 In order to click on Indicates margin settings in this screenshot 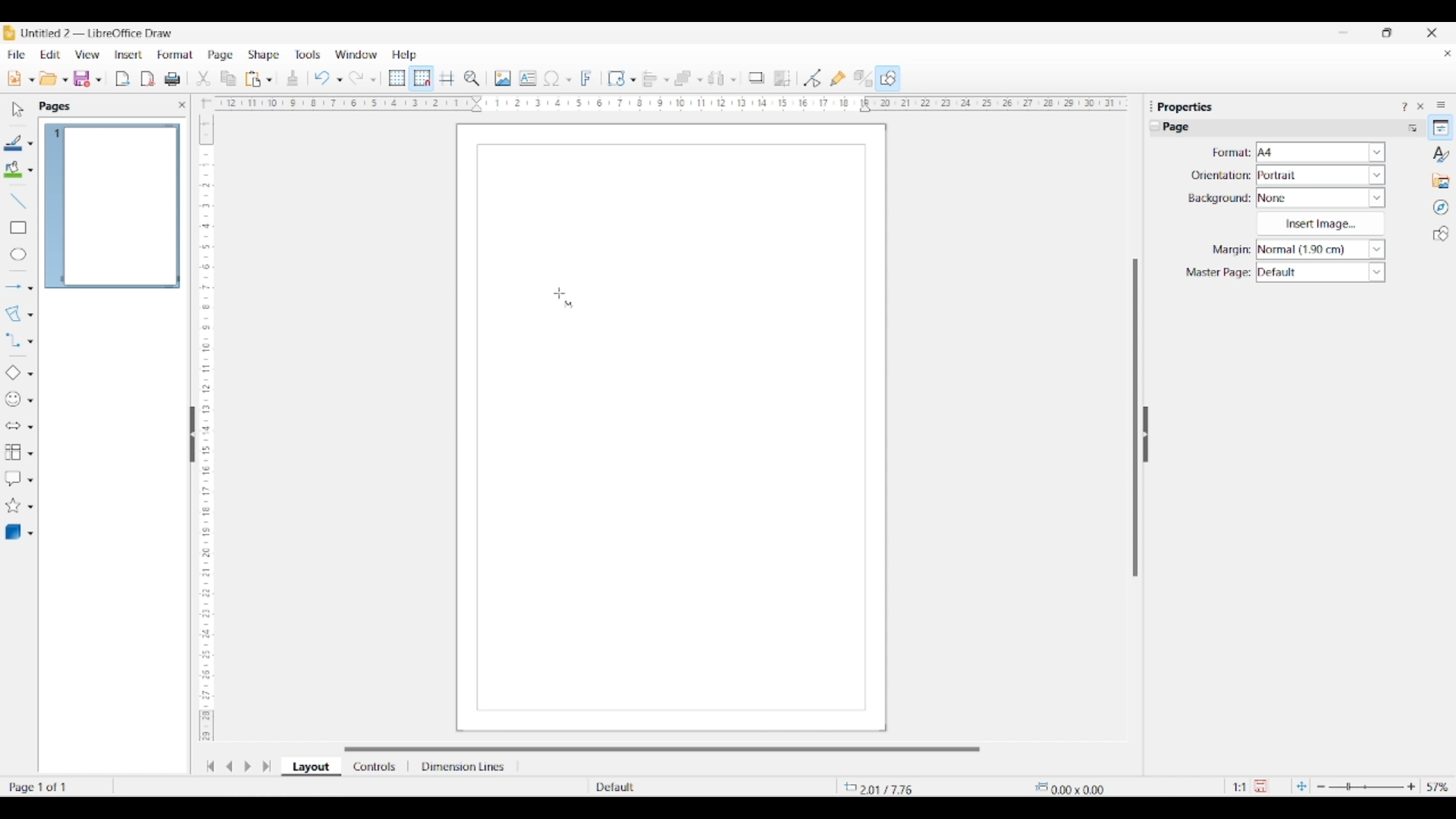, I will do `click(1229, 250)`.